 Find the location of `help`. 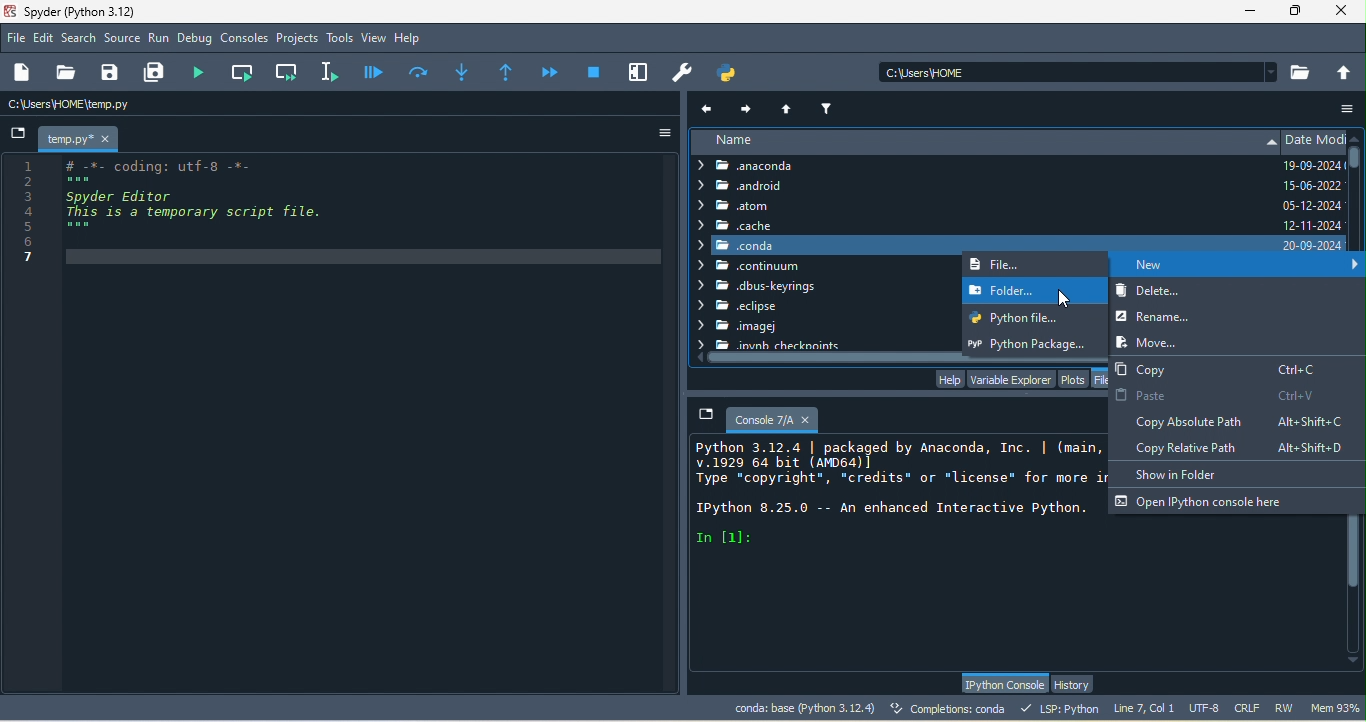

help is located at coordinates (412, 39).